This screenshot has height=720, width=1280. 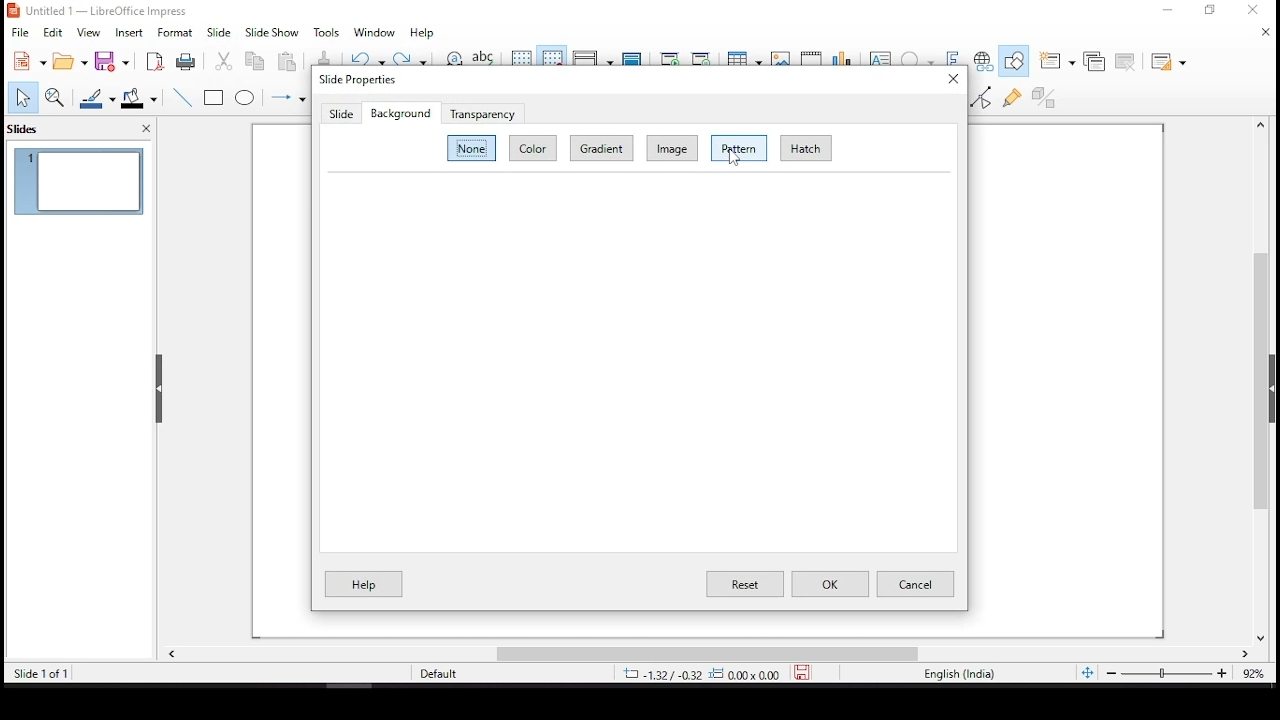 What do you see at coordinates (364, 585) in the screenshot?
I see `helpl` at bounding box center [364, 585].